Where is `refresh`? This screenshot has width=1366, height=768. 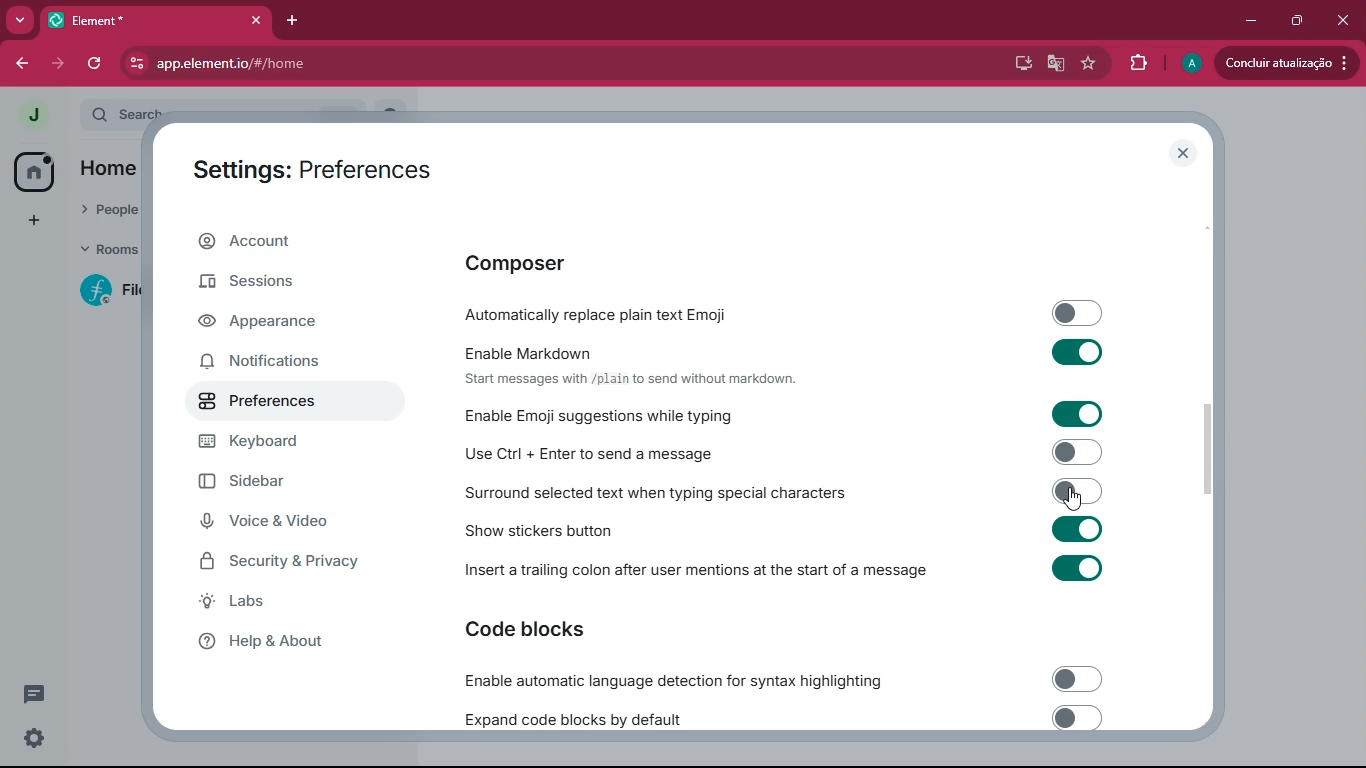 refresh is located at coordinates (97, 64).